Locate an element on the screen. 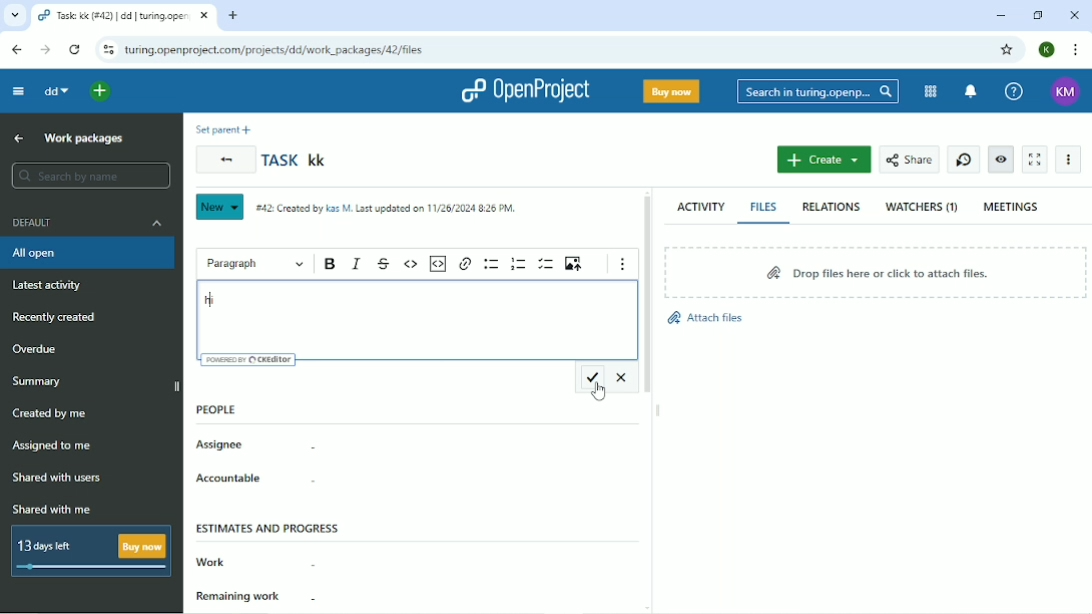 Image resolution: width=1092 pixels, height=614 pixels. Powered by CKEditor is located at coordinates (250, 360).